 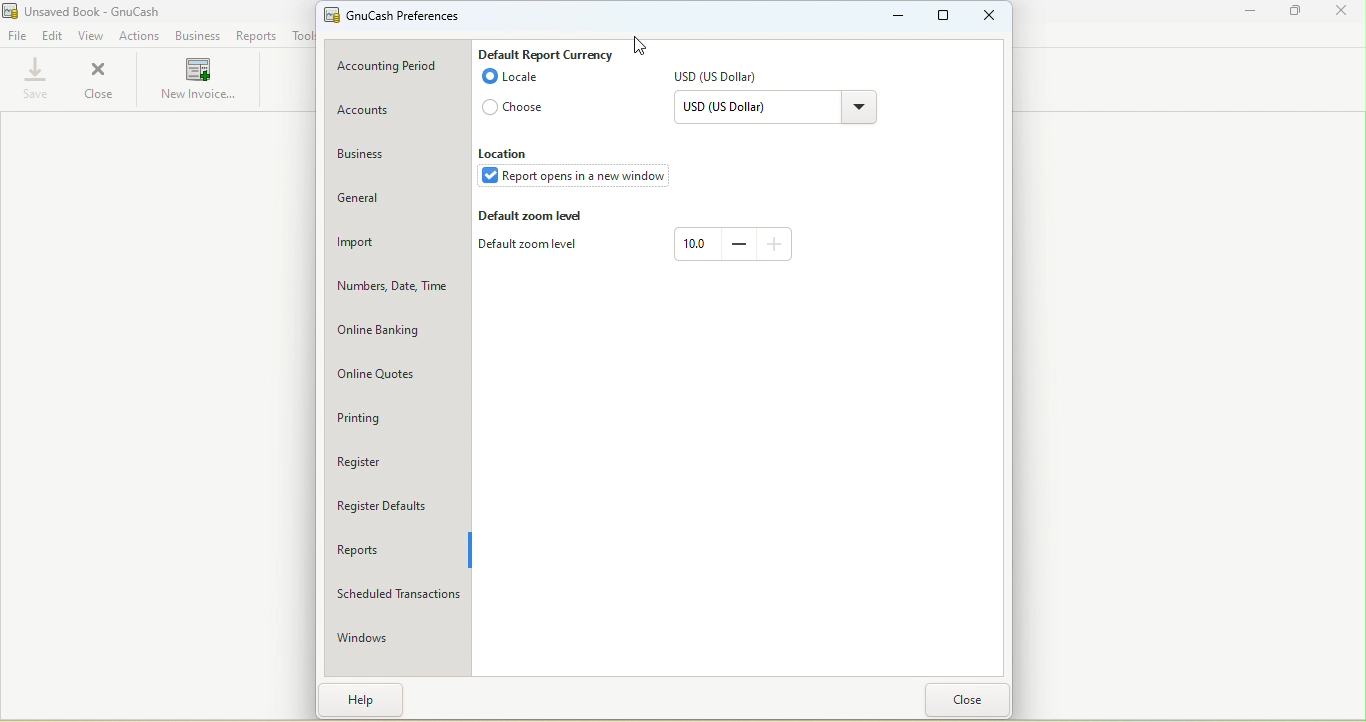 What do you see at coordinates (141, 35) in the screenshot?
I see `Actions` at bounding box center [141, 35].